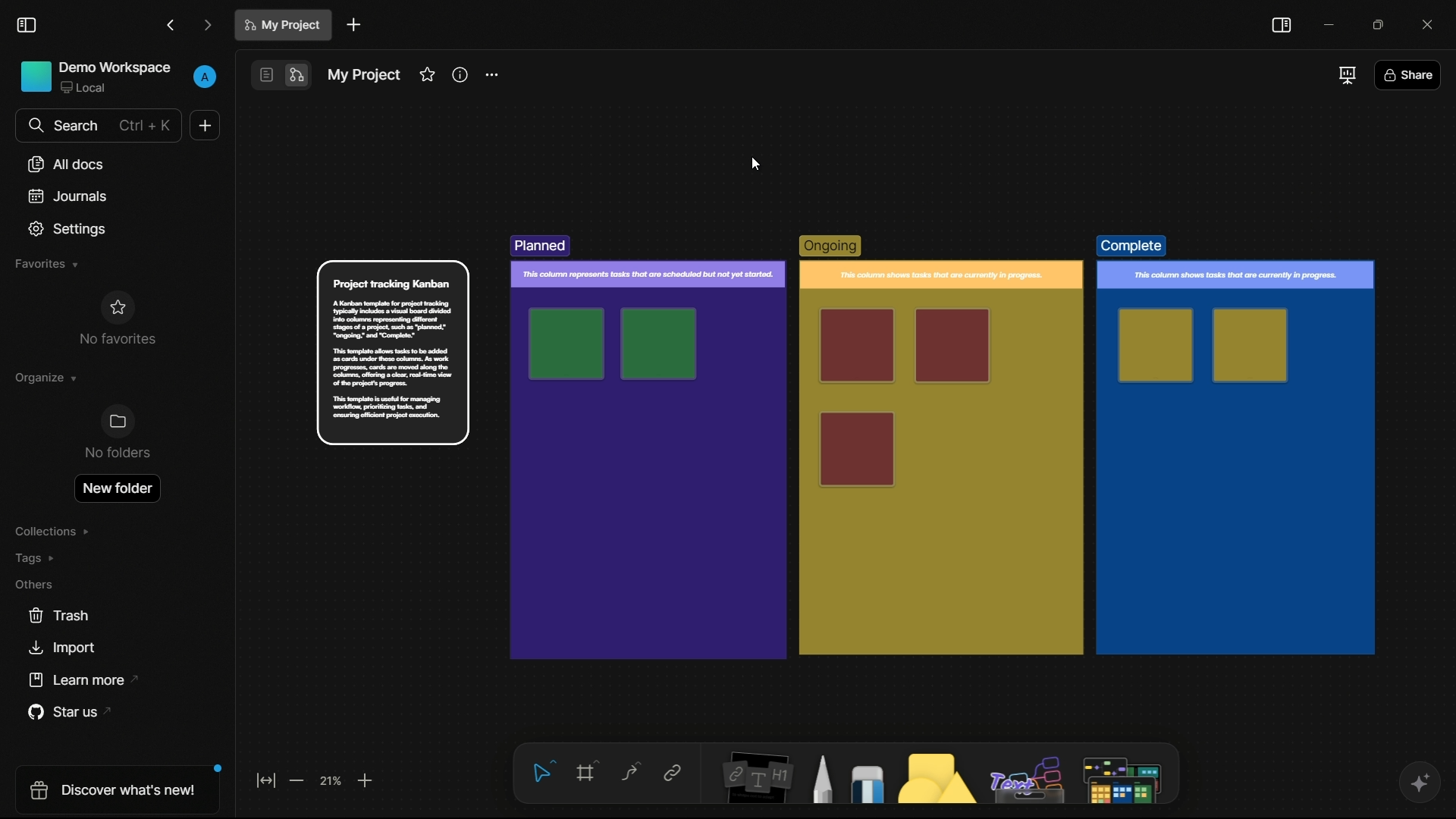 This screenshot has height=819, width=1456. What do you see at coordinates (68, 229) in the screenshot?
I see `settings` at bounding box center [68, 229].